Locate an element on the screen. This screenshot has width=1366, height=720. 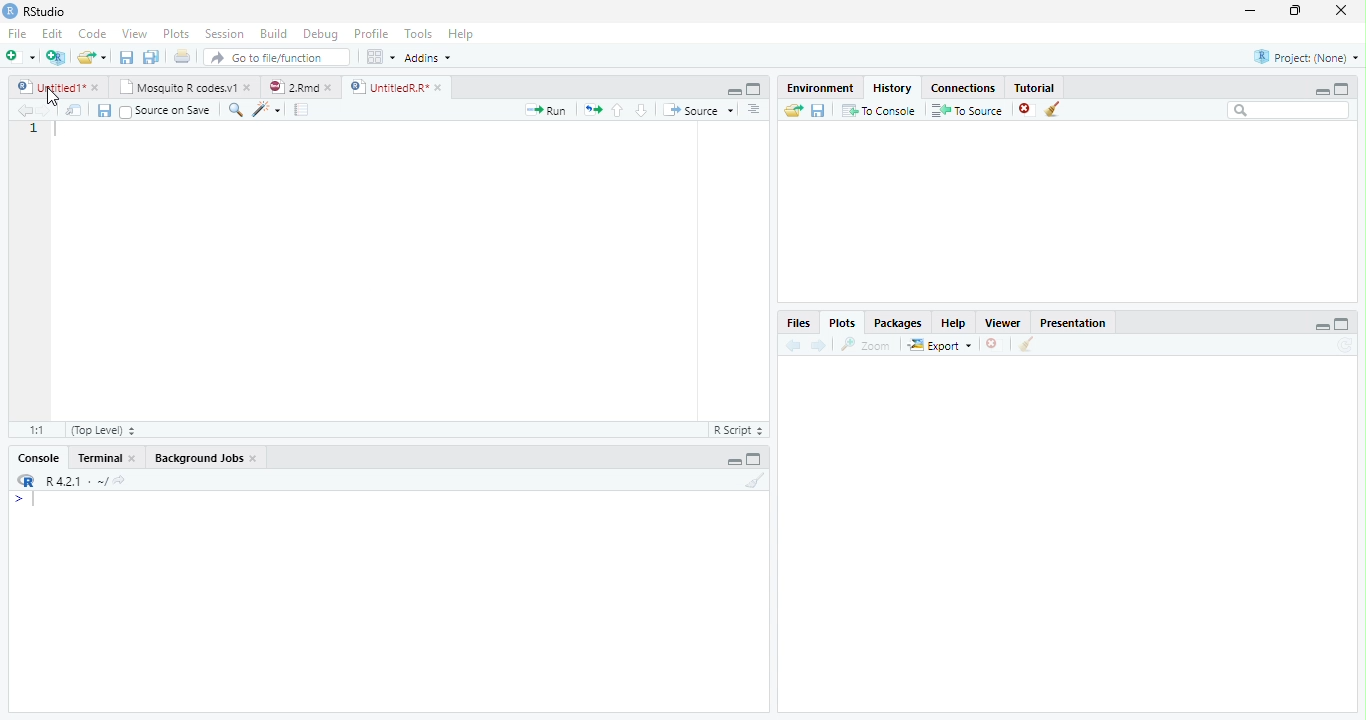
maximize is located at coordinates (756, 459).